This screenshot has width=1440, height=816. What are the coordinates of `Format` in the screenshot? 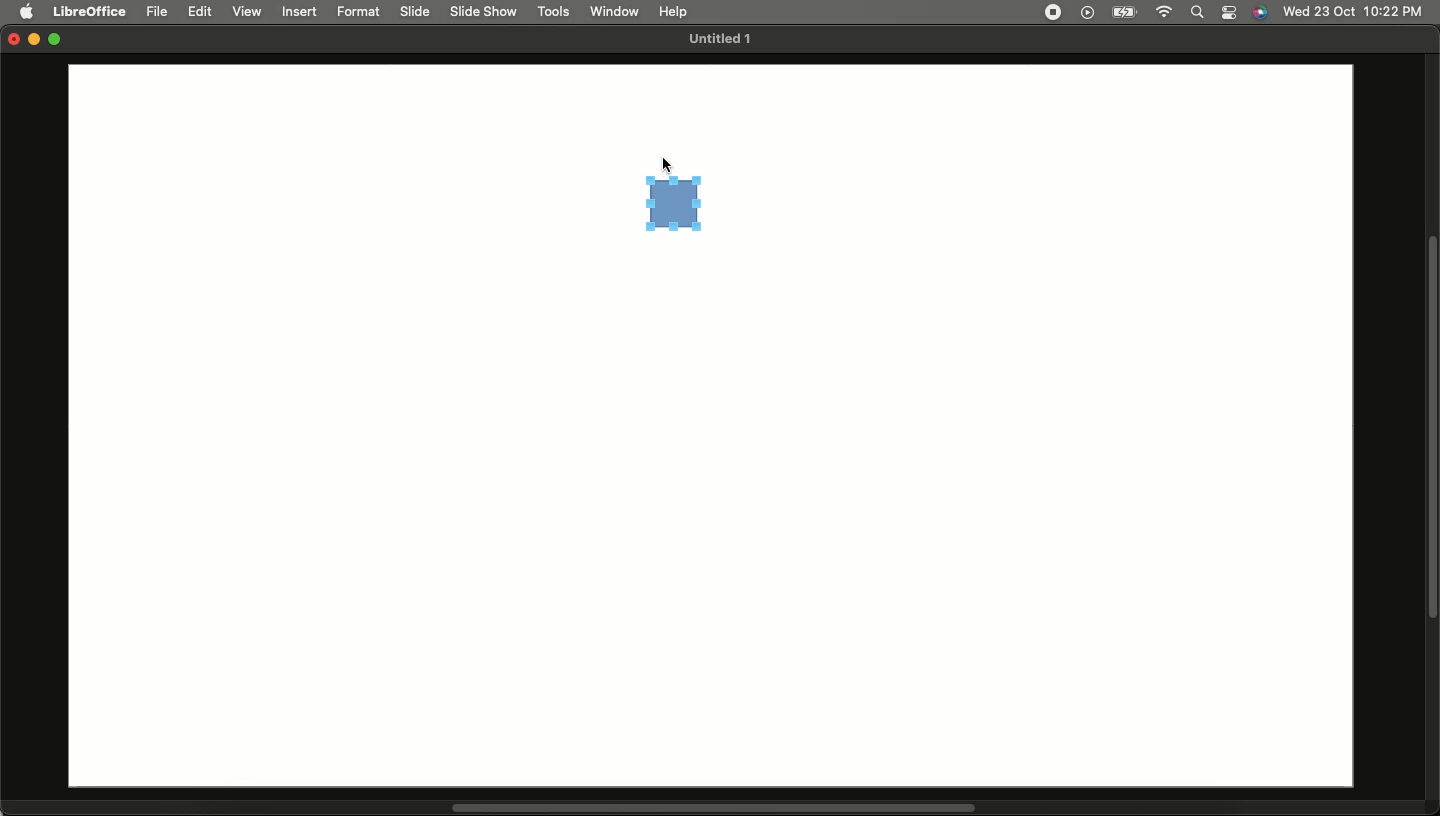 It's located at (363, 13).